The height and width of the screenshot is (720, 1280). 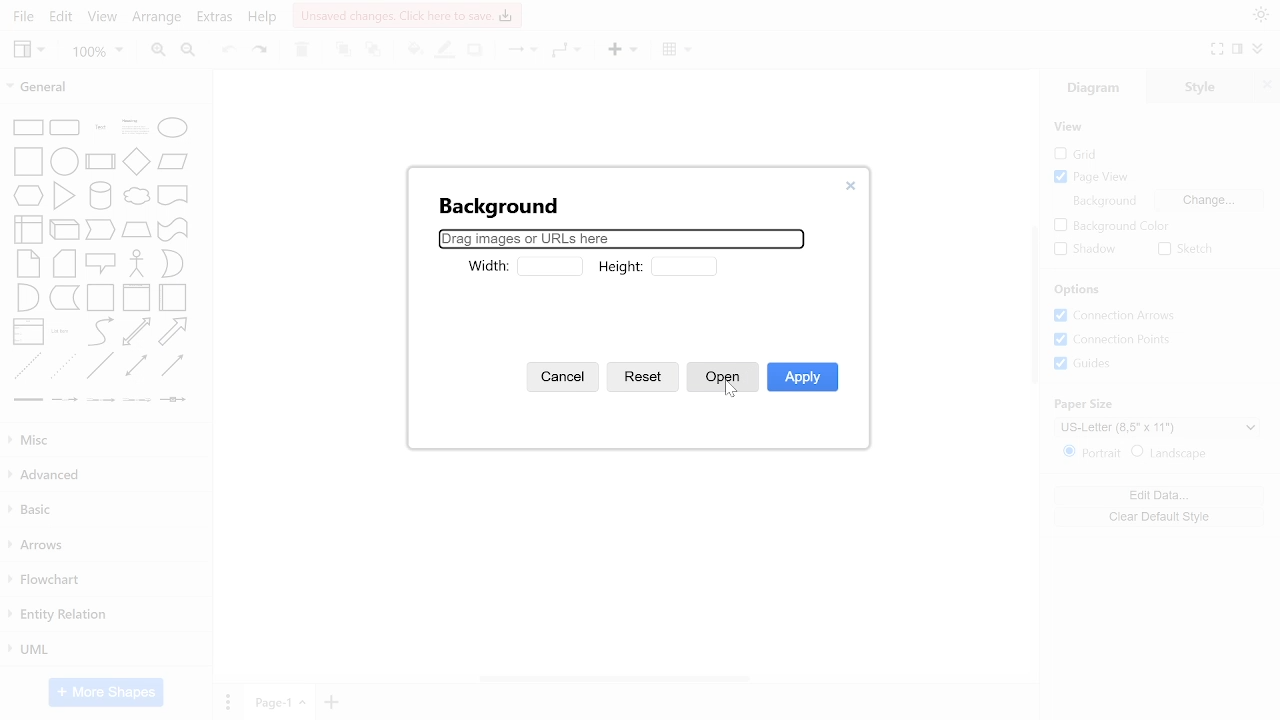 I want to click on advanced, so click(x=104, y=474).